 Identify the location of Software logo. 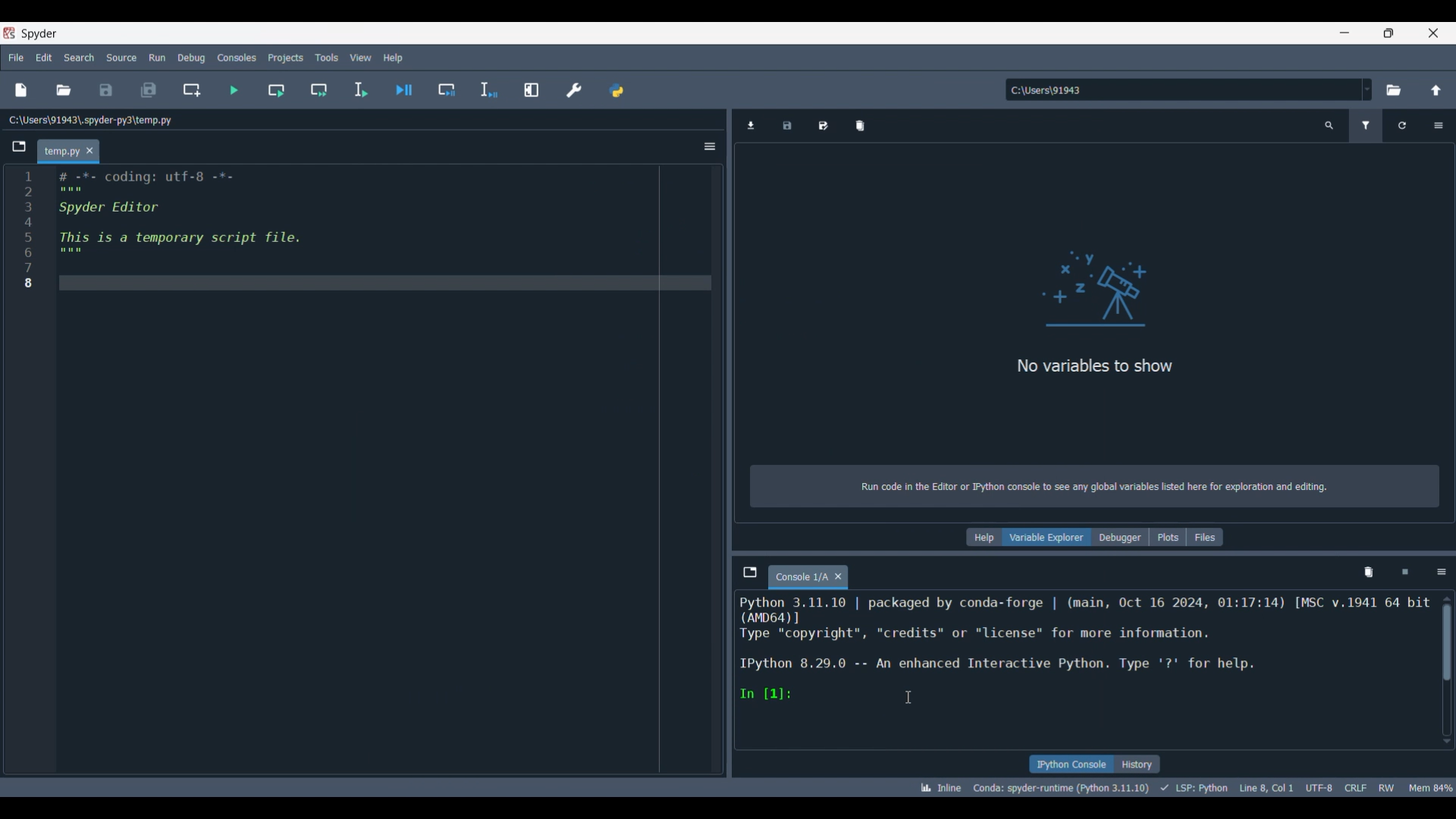
(9, 33).